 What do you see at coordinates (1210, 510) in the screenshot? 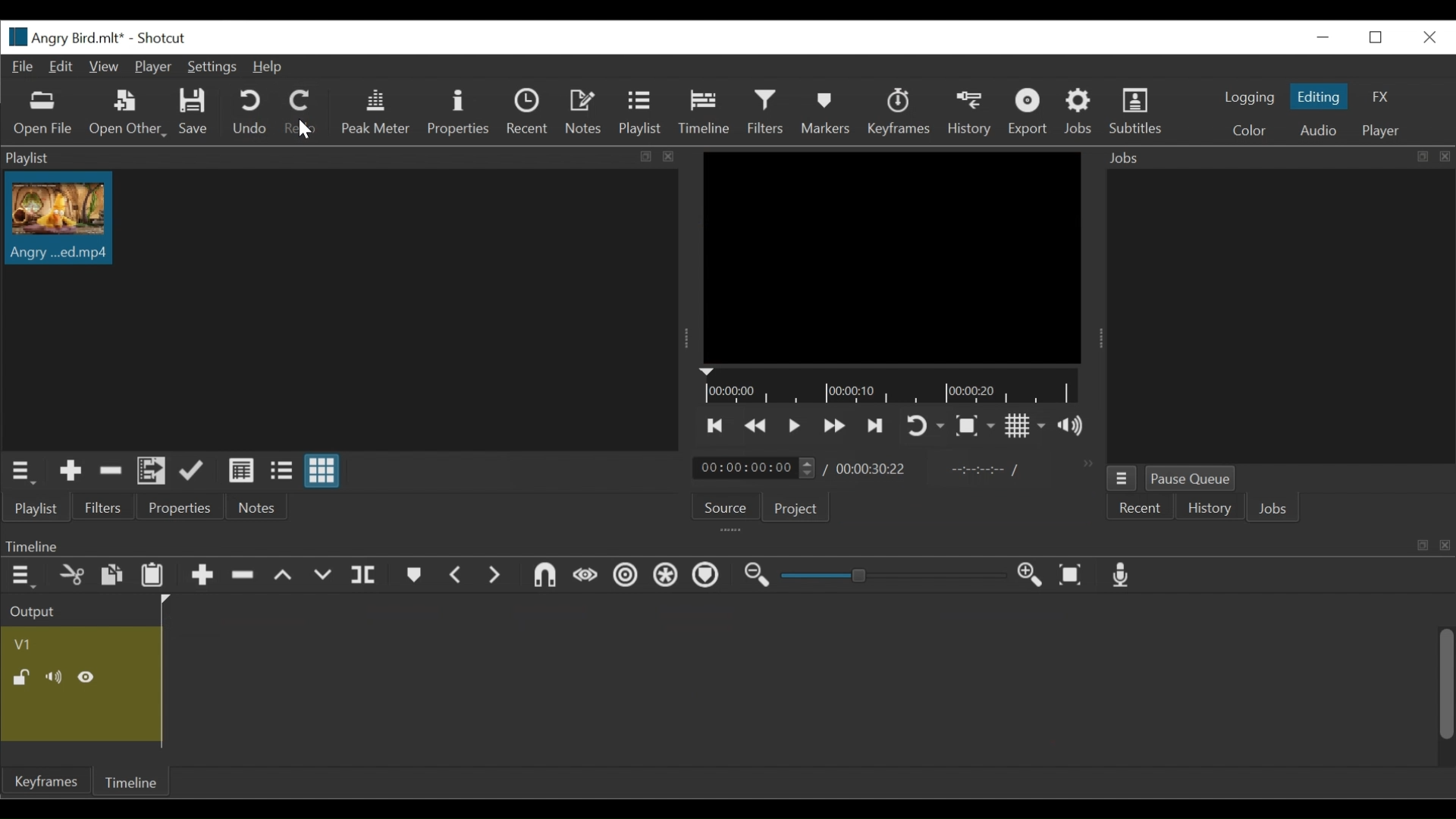
I see `History` at bounding box center [1210, 510].